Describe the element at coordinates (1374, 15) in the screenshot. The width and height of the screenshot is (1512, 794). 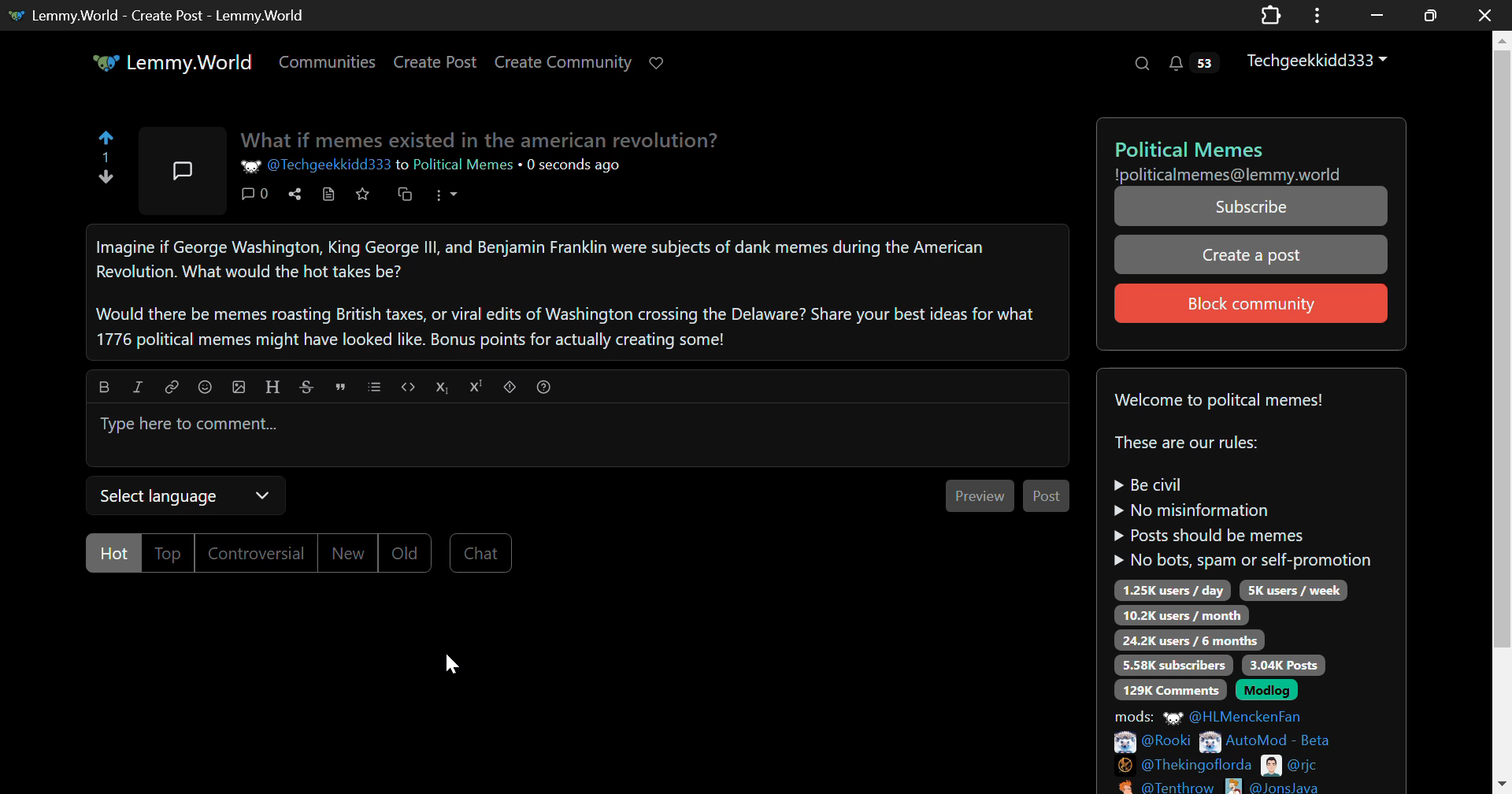
I see `Restore Down` at that location.